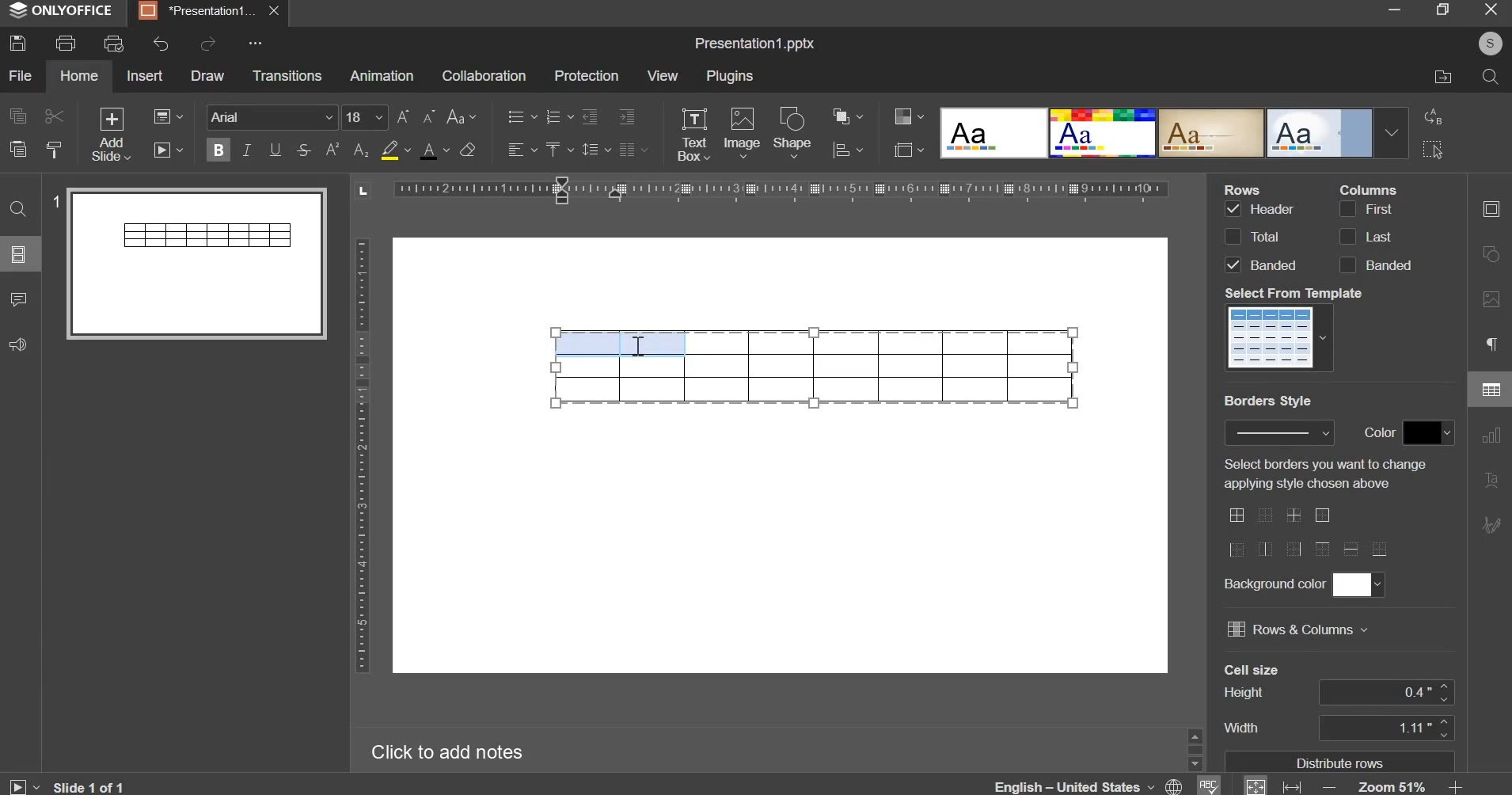 The width and height of the screenshot is (1512, 795). I want to click on Distribute rows, so click(1343, 762).